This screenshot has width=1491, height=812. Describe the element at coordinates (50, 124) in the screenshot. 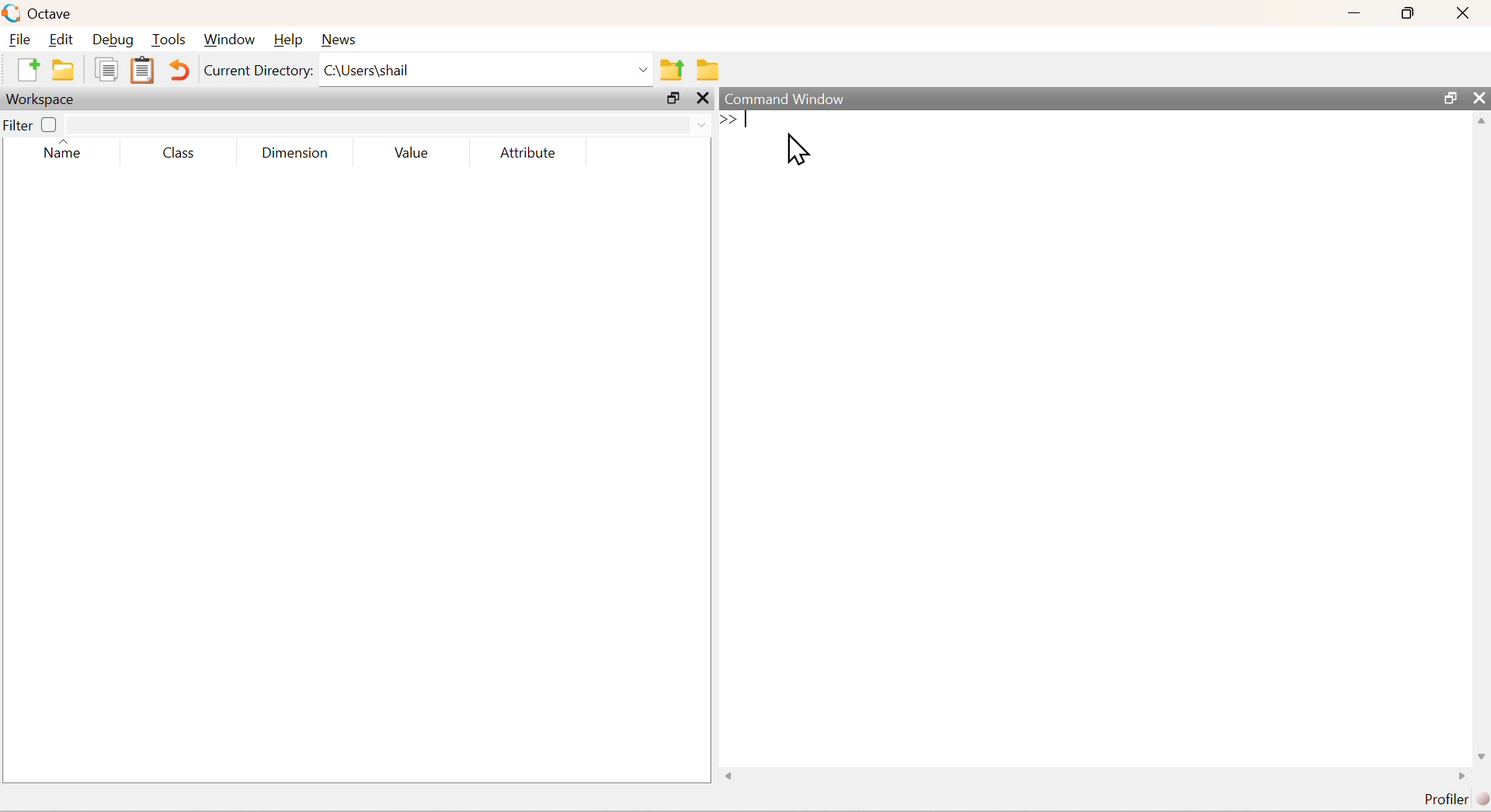

I see `check box` at that location.